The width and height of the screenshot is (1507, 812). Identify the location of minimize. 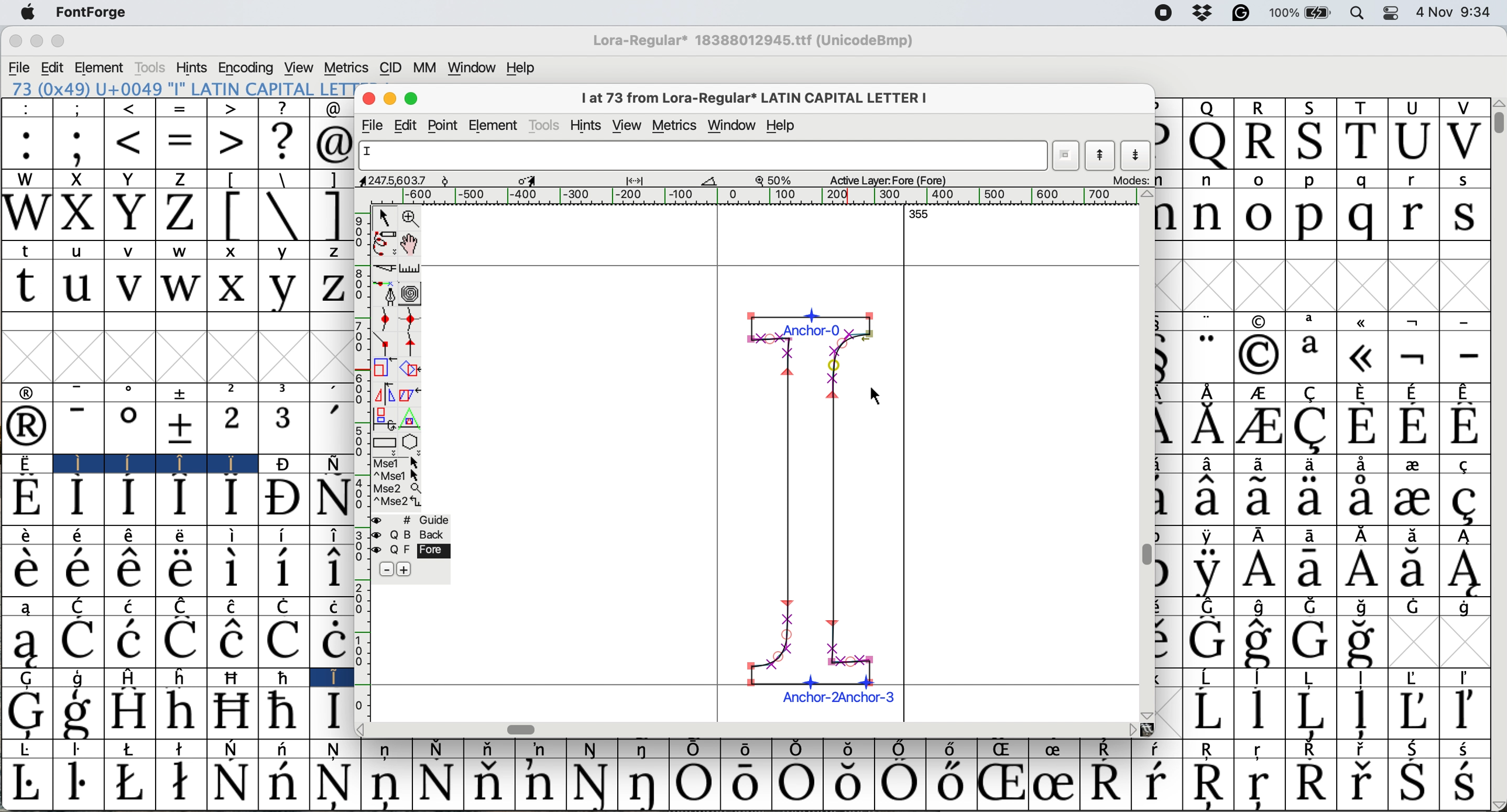
(35, 40).